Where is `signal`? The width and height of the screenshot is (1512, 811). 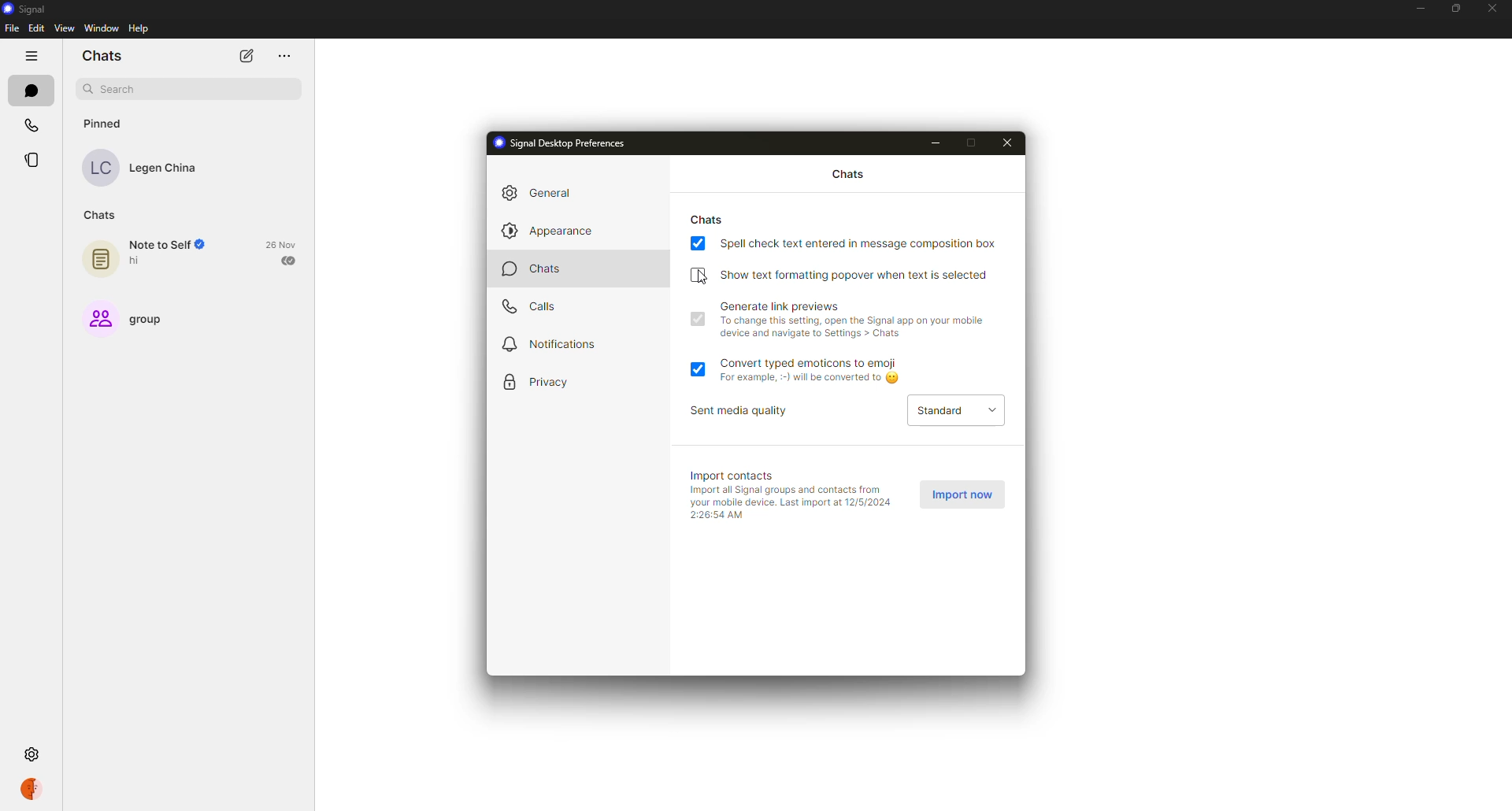 signal is located at coordinates (30, 10).